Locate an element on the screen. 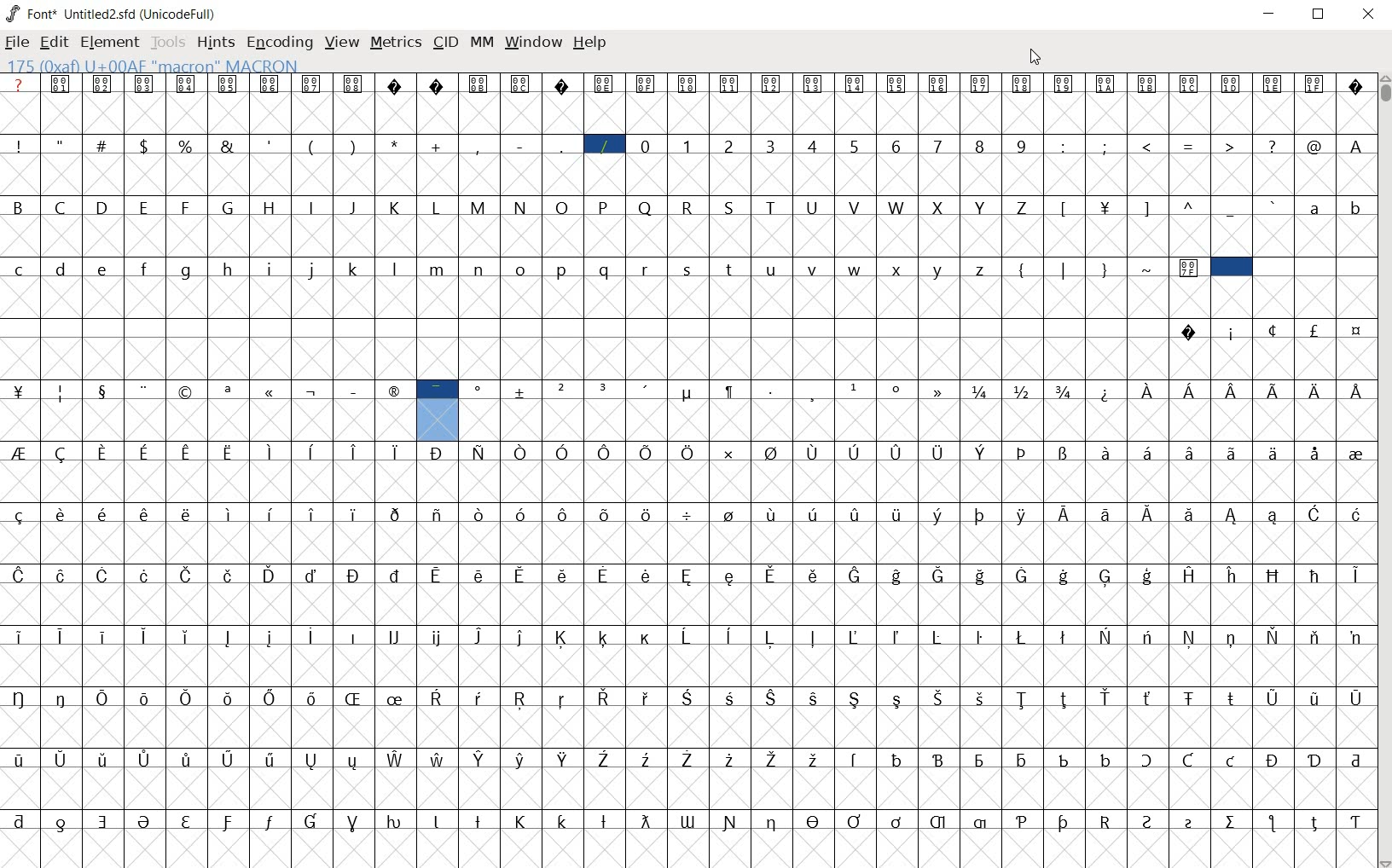  ENCODING is located at coordinates (280, 43).